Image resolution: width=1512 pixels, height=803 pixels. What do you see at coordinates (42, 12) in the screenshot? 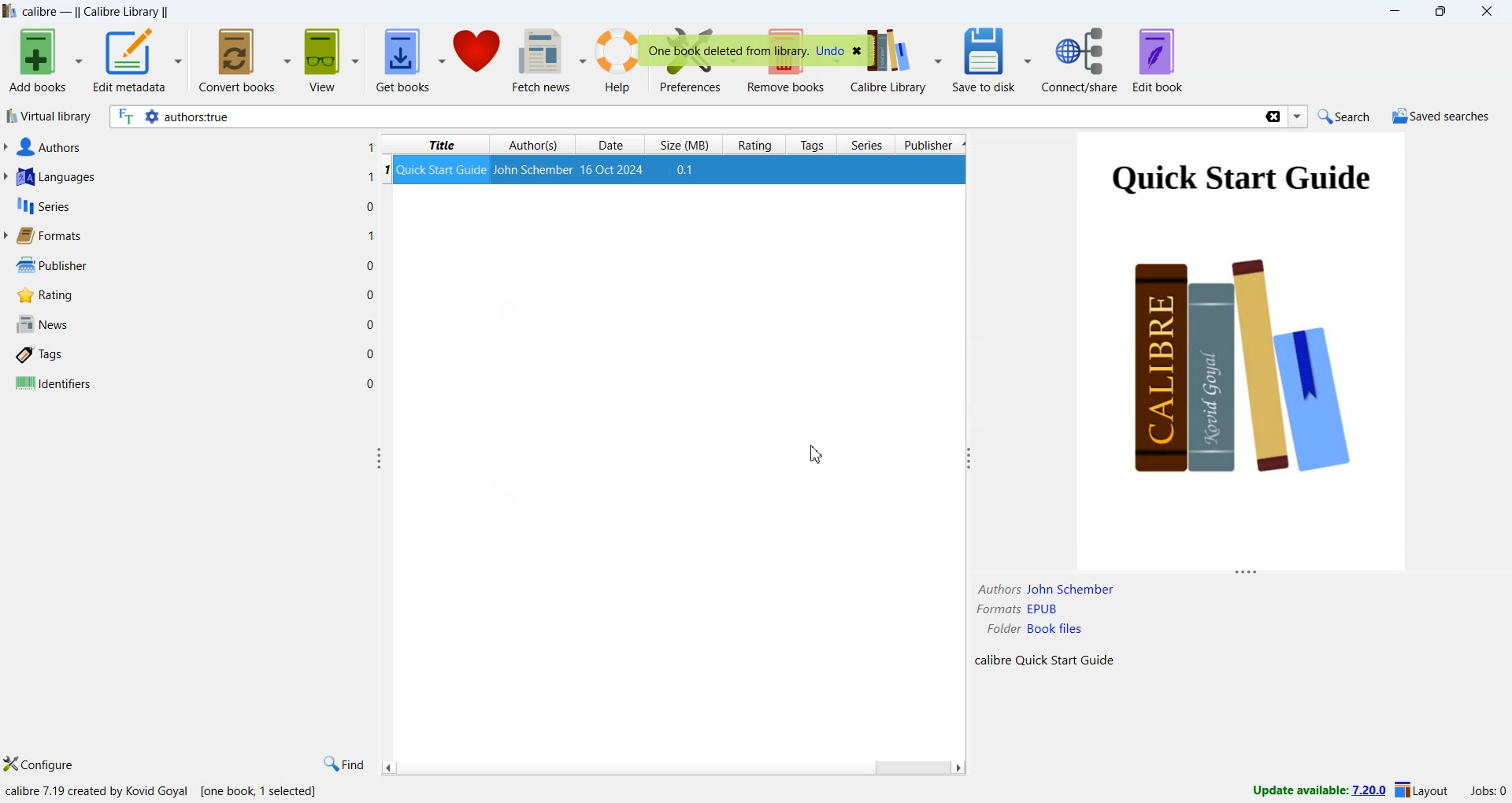
I see `app name` at bounding box center [42, 12].